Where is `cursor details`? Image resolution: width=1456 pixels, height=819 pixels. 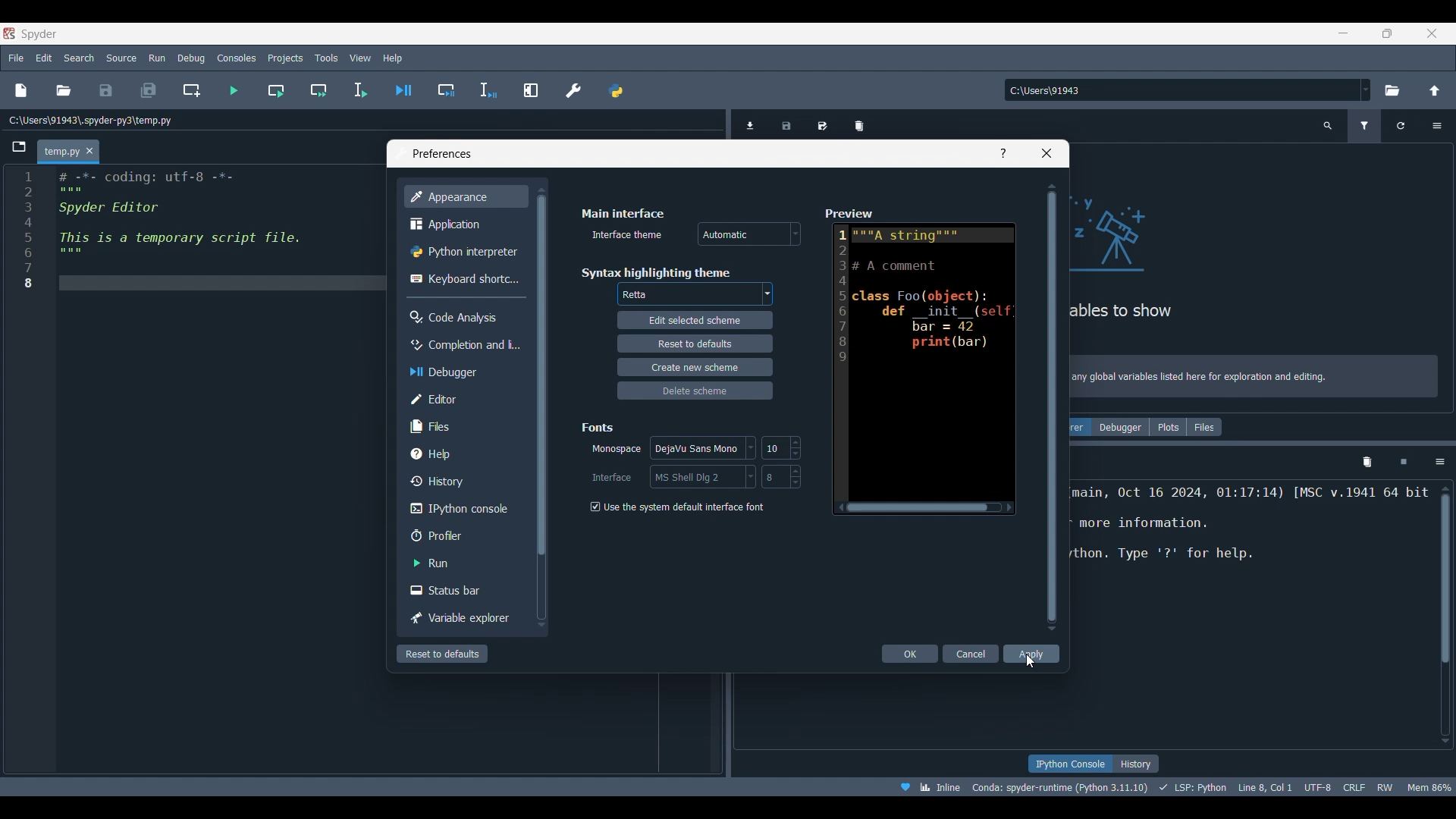 cursor details is located at coordinates (1263, 786).